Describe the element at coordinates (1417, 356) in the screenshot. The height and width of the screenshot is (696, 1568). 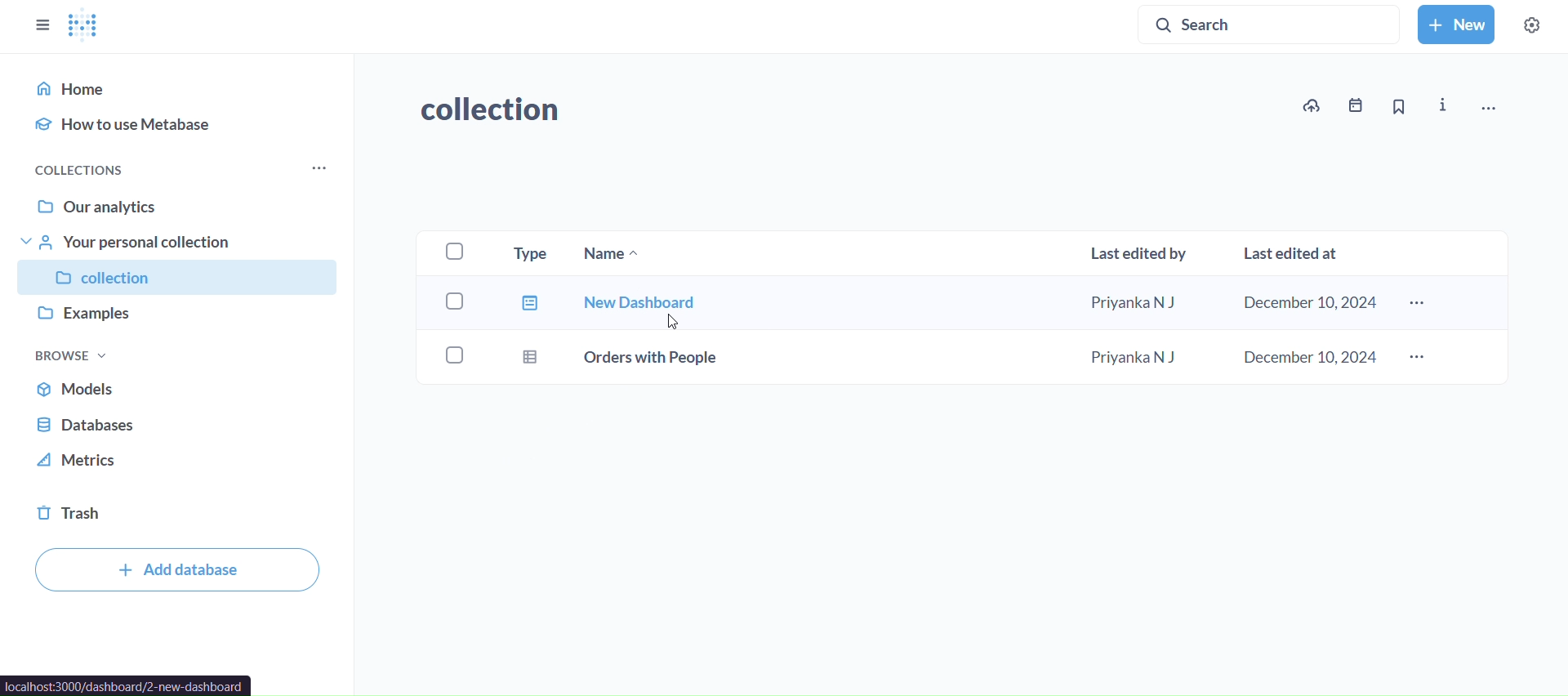
I see `more` at that location.